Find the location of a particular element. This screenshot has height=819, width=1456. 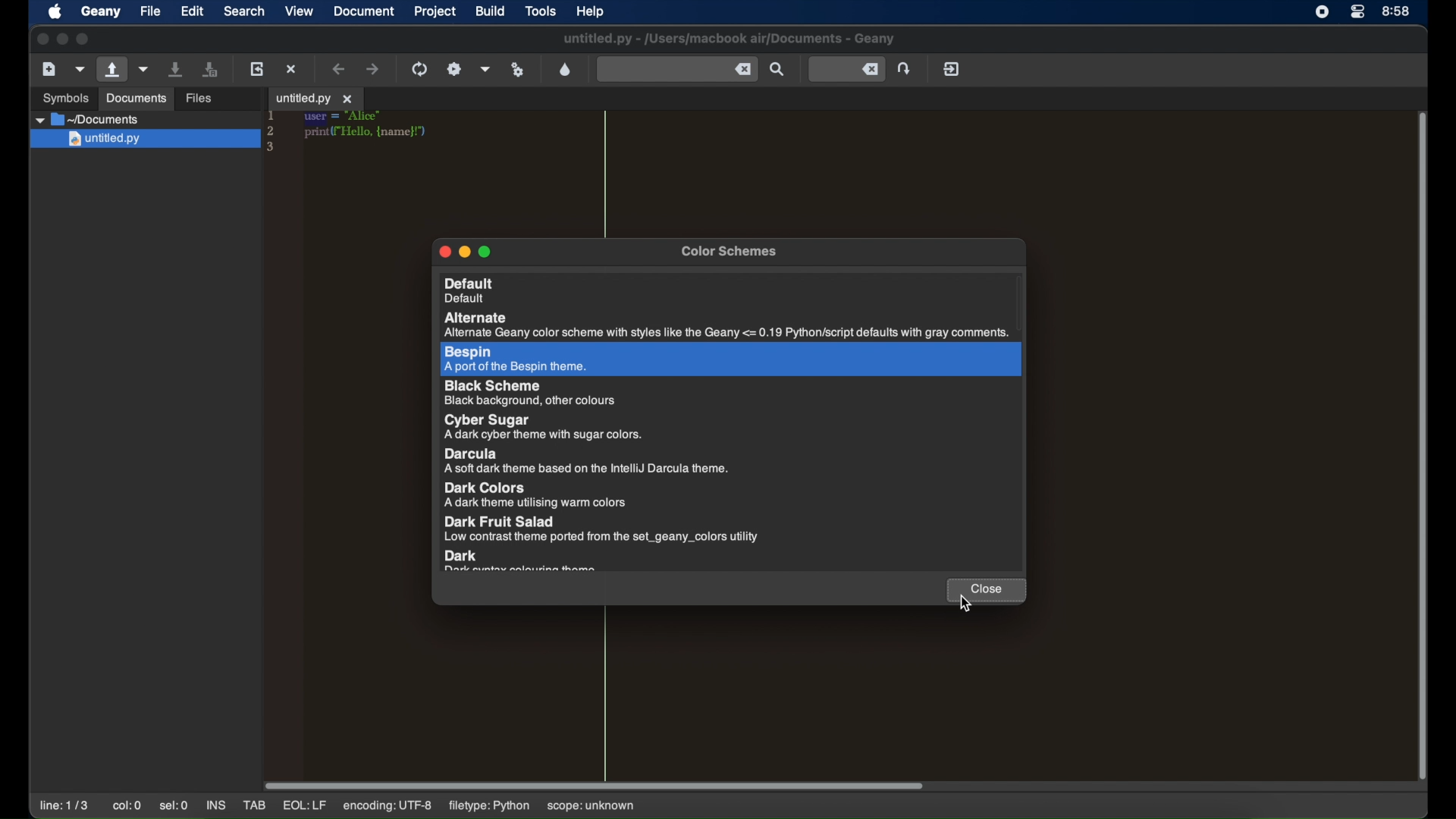

close is located at coordinates (443, 252).